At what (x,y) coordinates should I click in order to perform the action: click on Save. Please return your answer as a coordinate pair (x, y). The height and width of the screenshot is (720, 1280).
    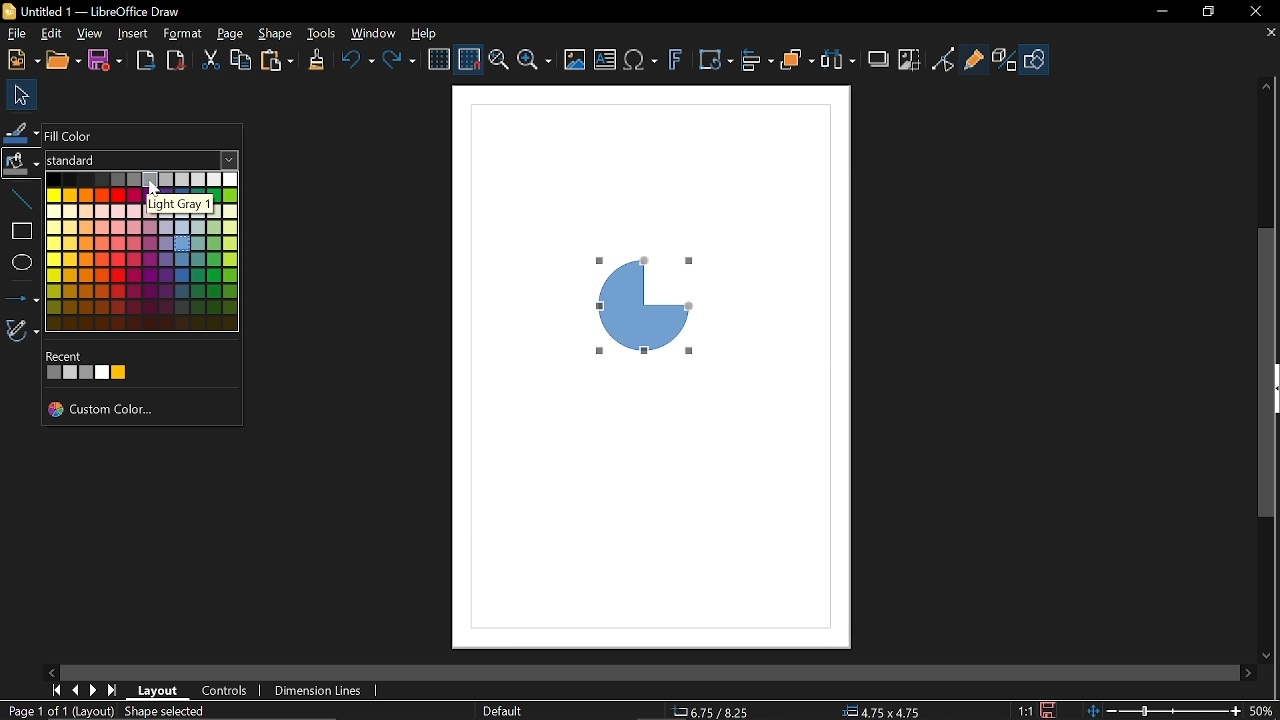
    Looking at the image, I should click on (107, 59).